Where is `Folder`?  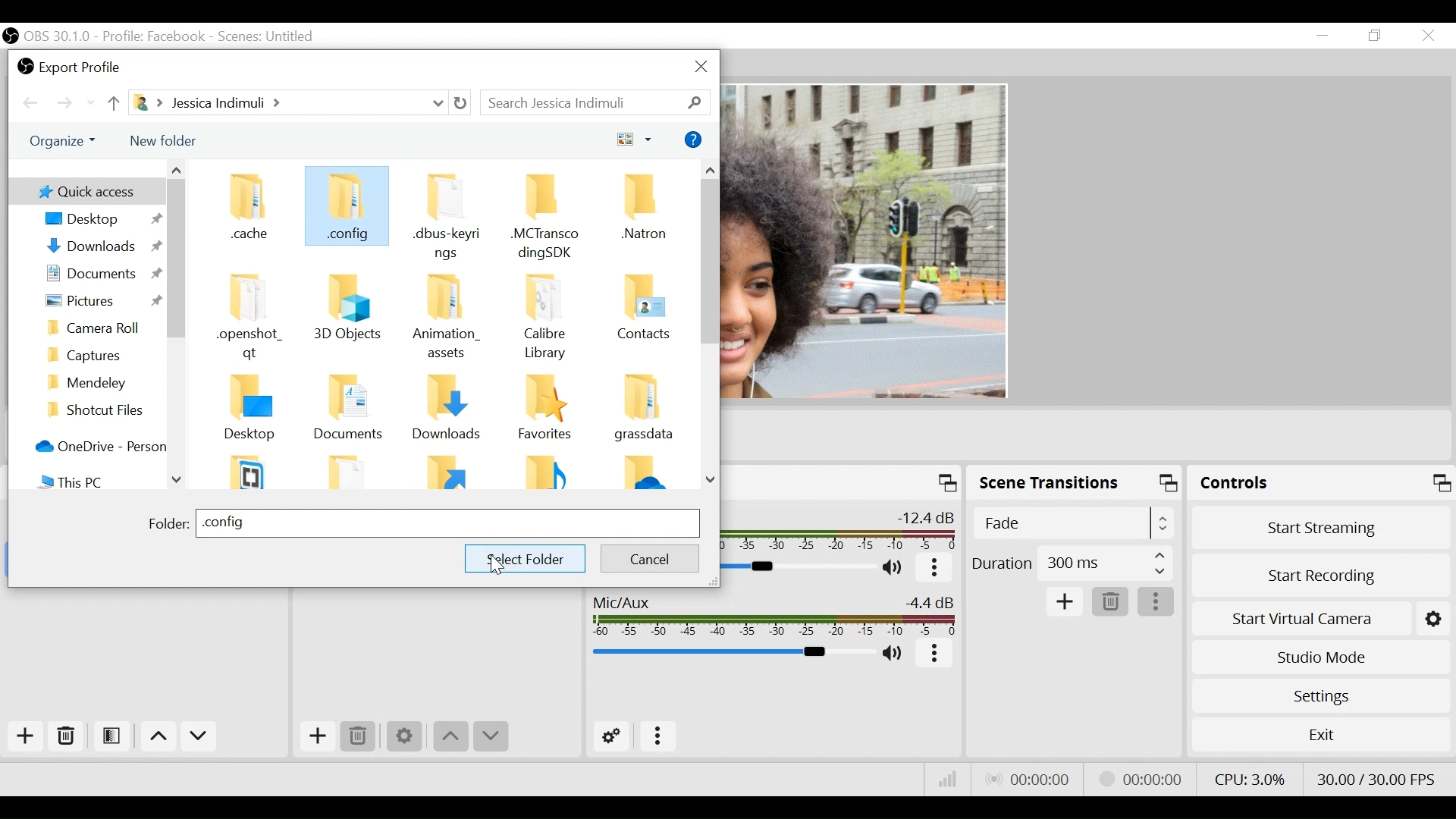
Folder is located at coordinates (639, 215).